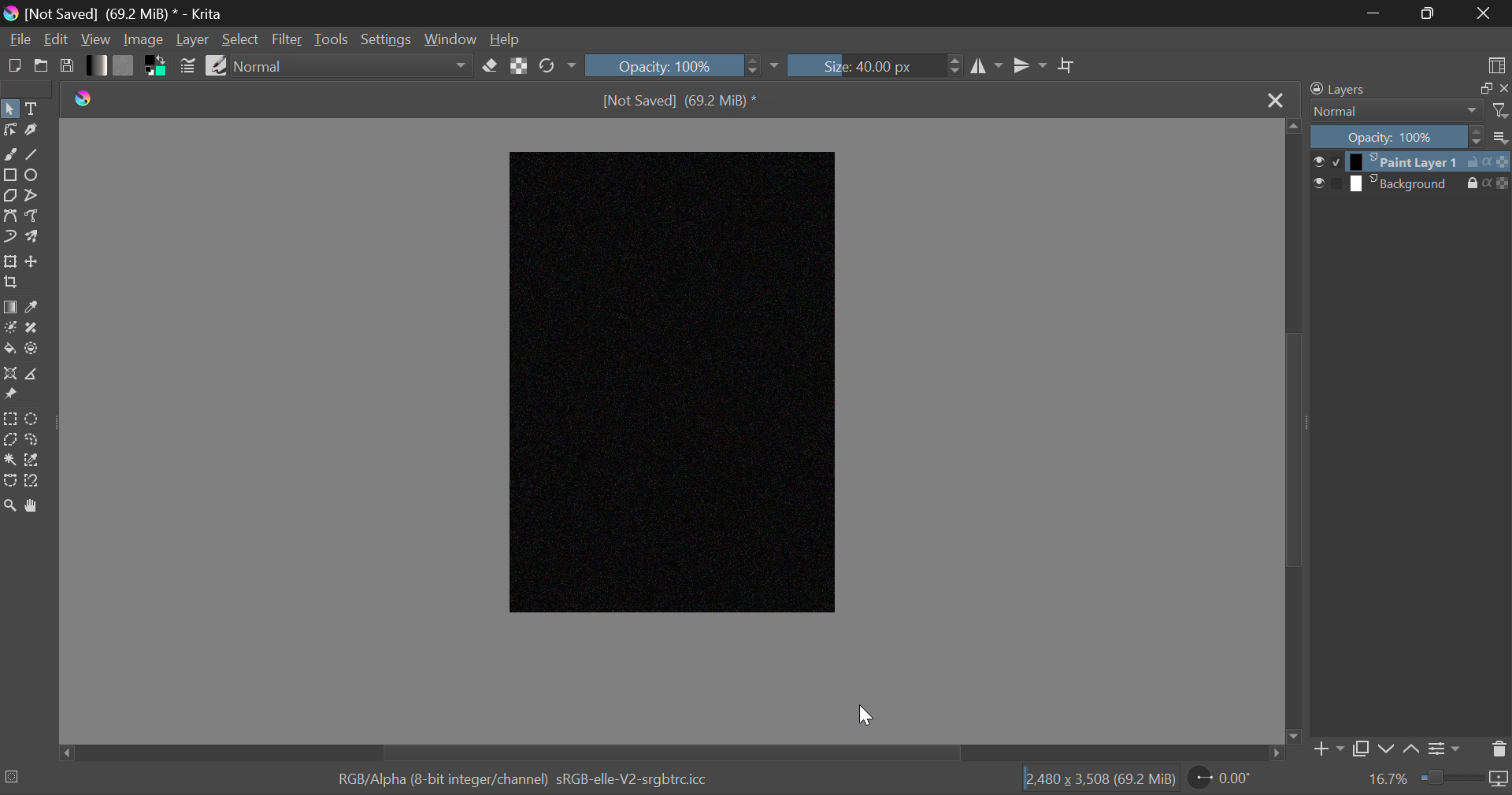 This screenshot has height=795, width=1512. What do you see at coordinates (287, 40) in the screenshot?
I see `Filter` at bounding box center [287, 40].